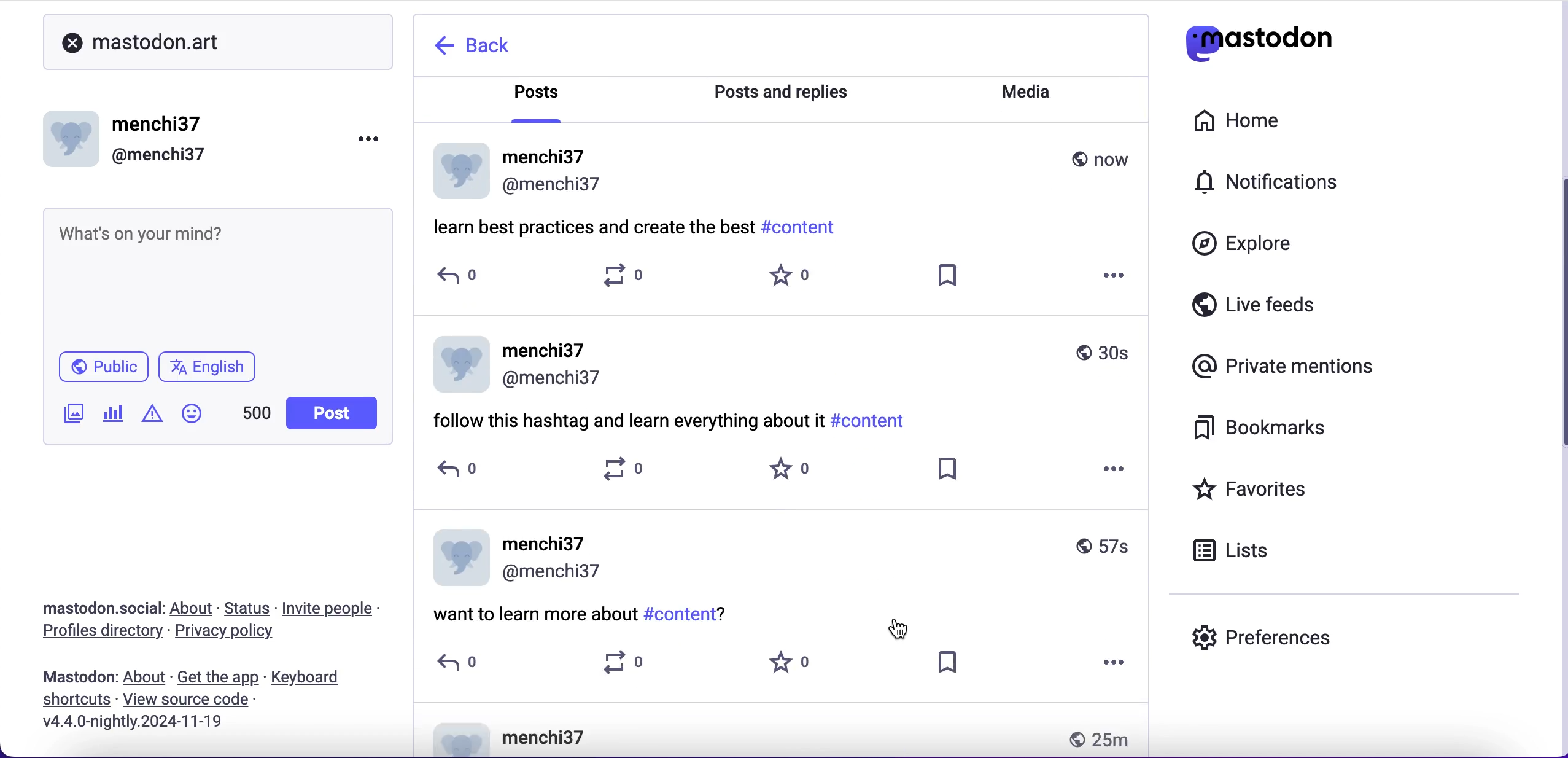  Describe the element at coordinates (953, 667) in the screenshot. I see `save` at that location.